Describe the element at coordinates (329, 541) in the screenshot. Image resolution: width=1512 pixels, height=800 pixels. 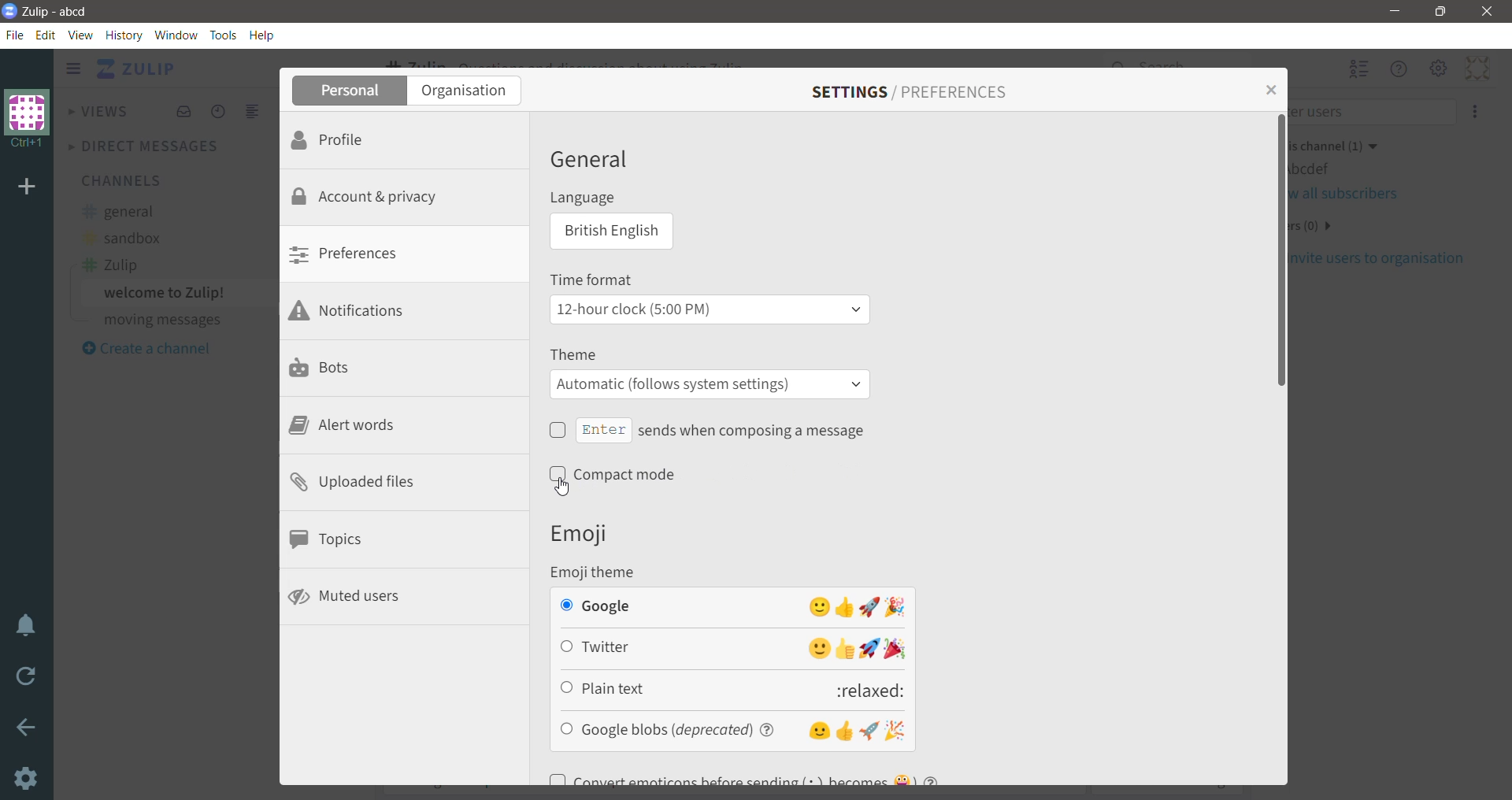
I see `Topics` at that location.